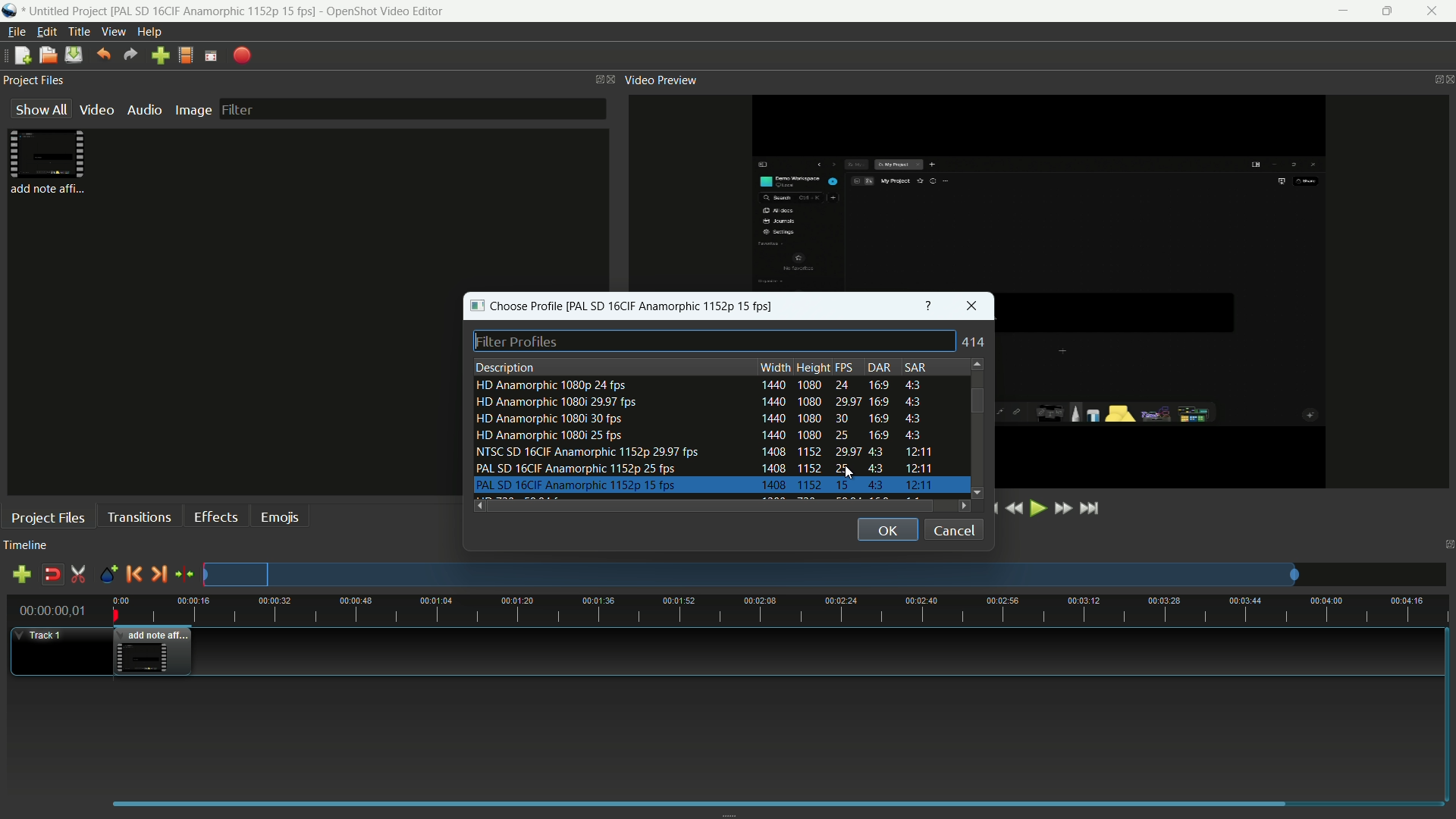  Describe the element at coordinates (704, 468) in the screenshot. I see `profile-6` at that location.